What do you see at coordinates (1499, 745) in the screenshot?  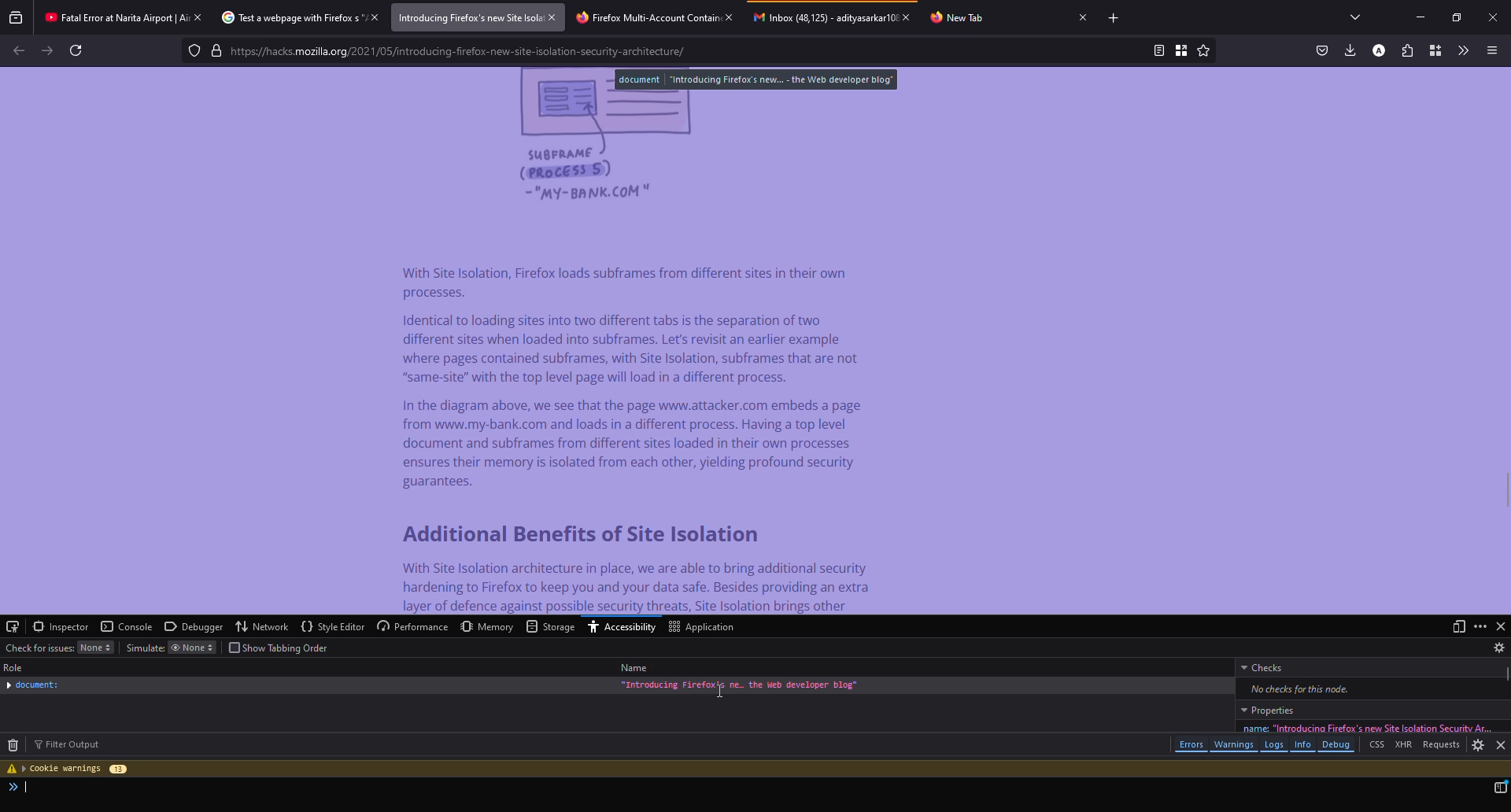 I see `close` at bounding box center [1499, 745].